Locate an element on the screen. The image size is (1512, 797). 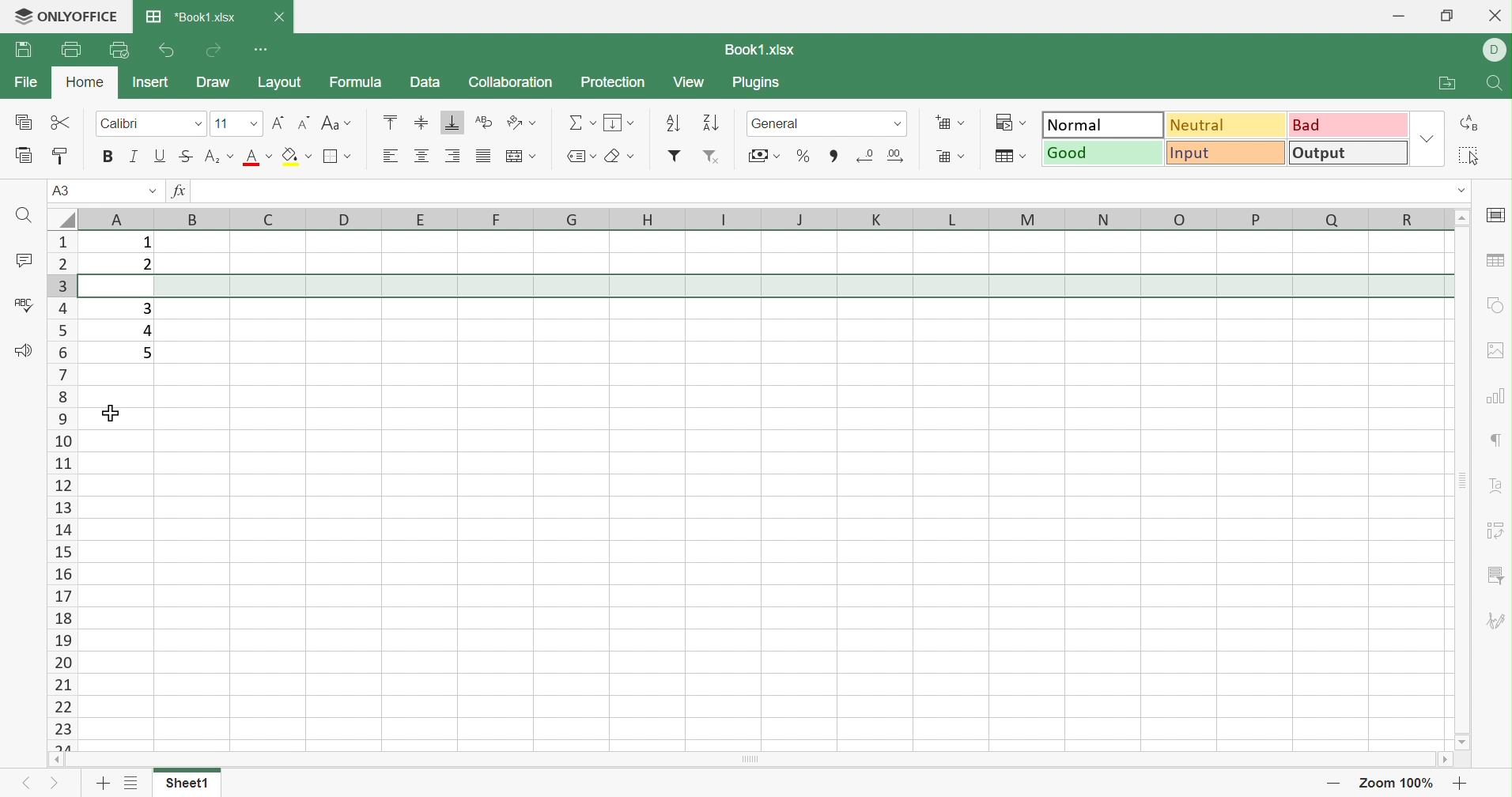
Check spelling is located at coordinates (21, 304).